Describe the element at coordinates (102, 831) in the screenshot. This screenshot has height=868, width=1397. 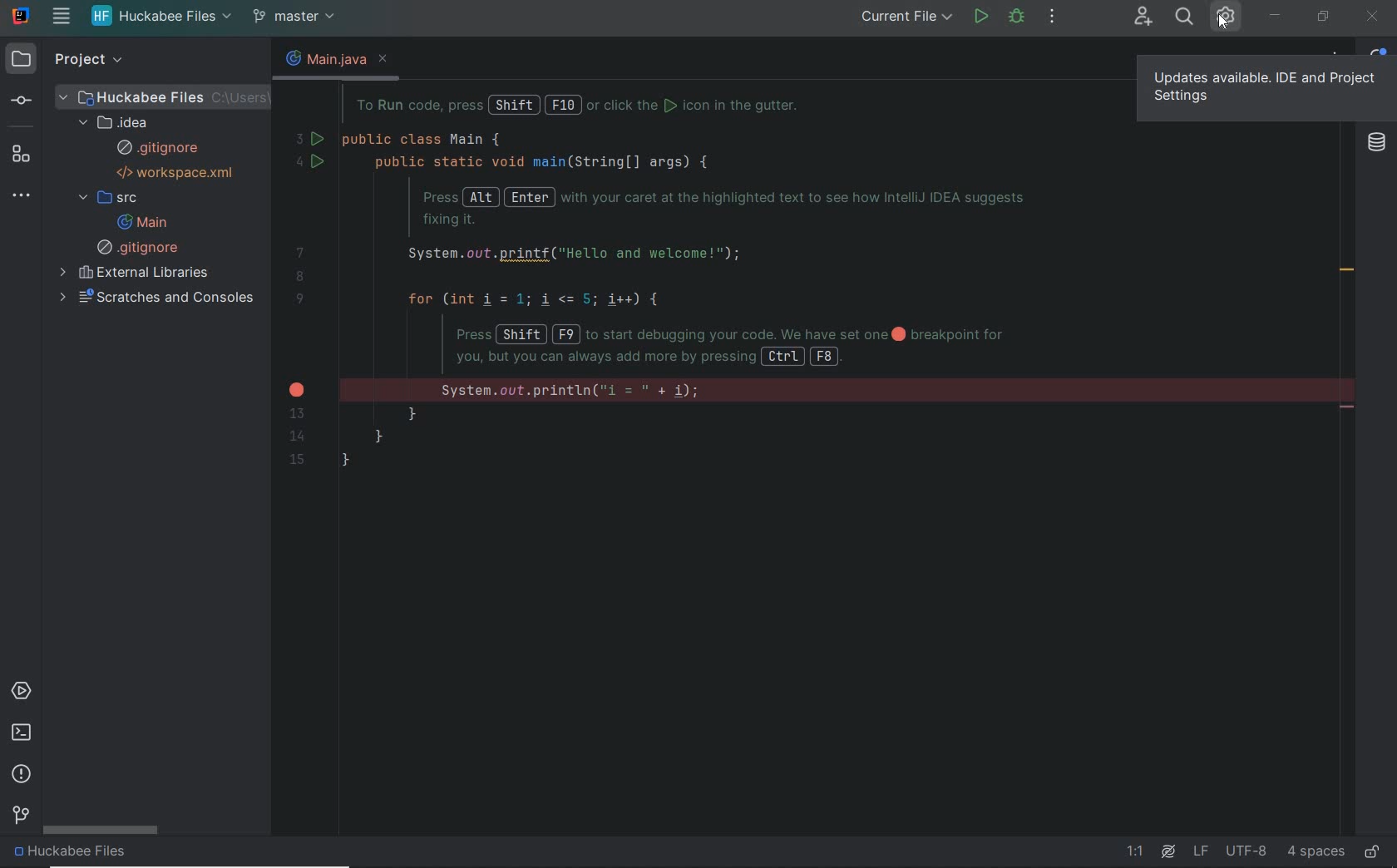
I see `scrollbar` at that location.